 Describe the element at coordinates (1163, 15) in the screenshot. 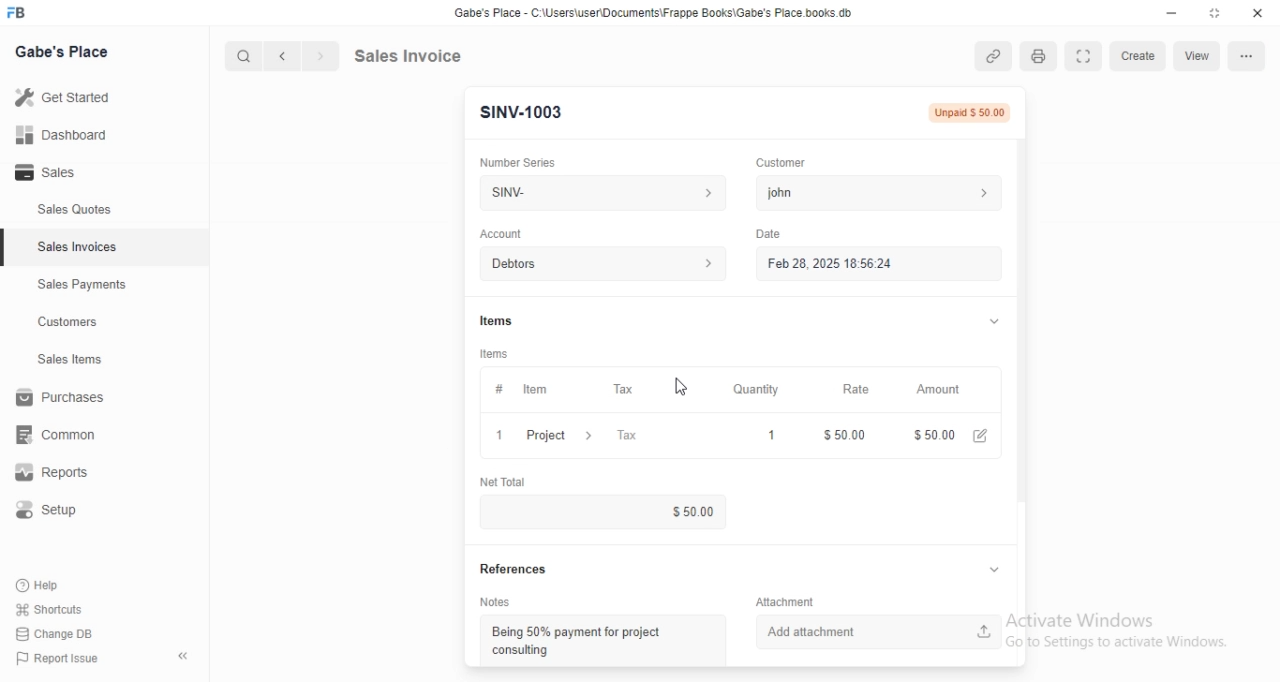

I see `minimize` at that location.